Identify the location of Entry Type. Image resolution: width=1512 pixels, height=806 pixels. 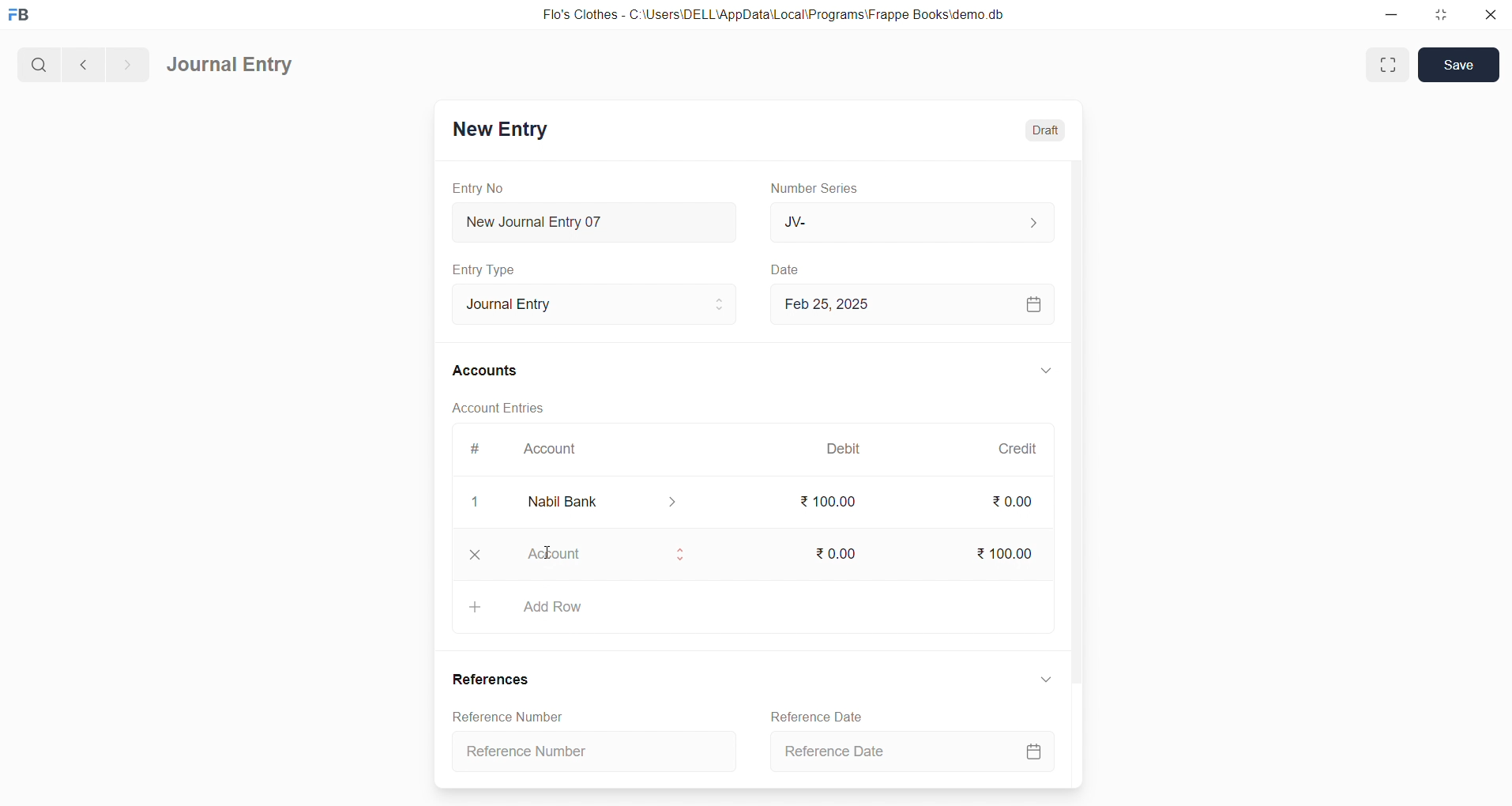
(485, 269).